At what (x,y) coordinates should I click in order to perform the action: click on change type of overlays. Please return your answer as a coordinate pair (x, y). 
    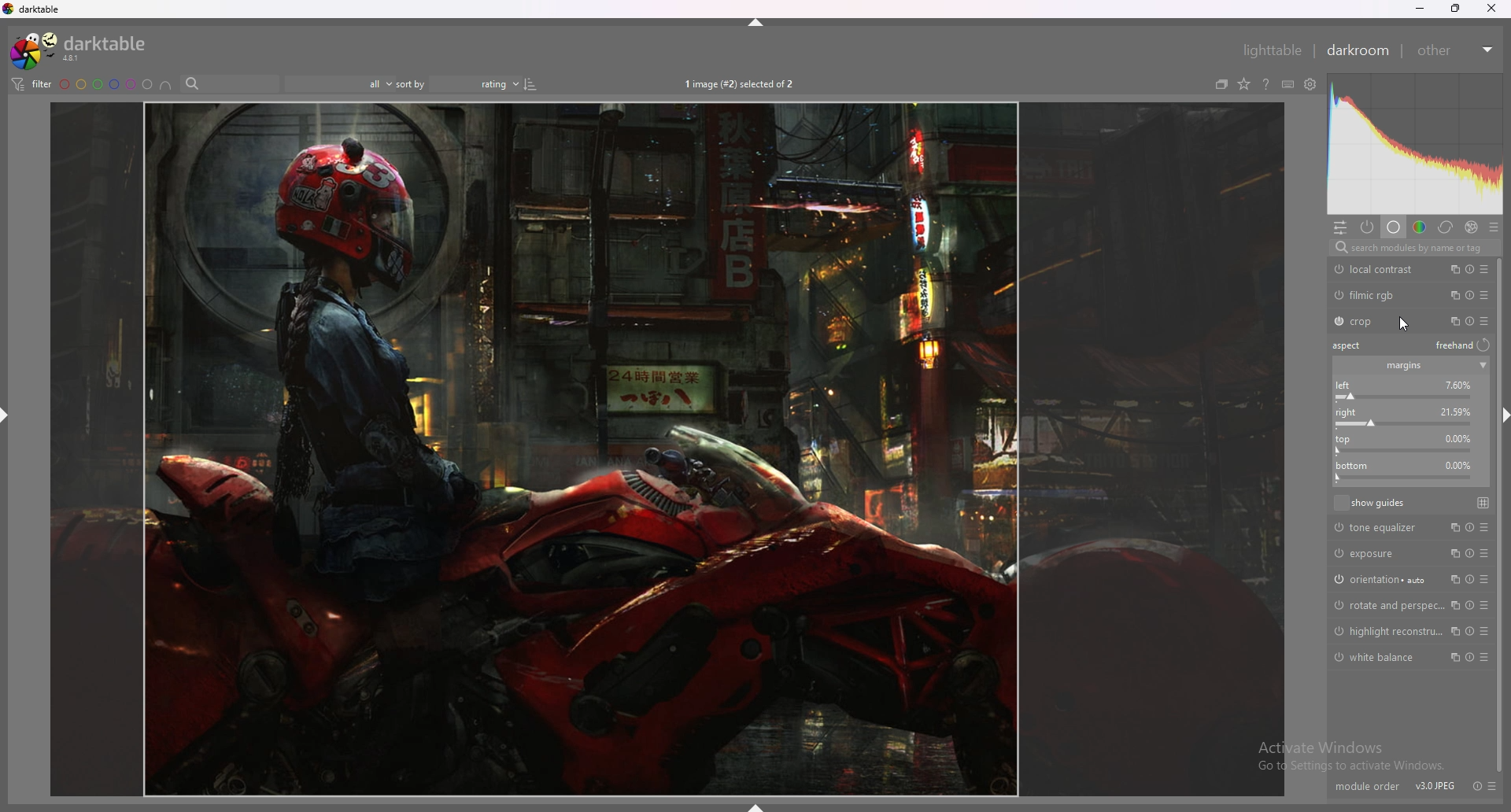
    Looking at the image, I should click on (1243, 84).